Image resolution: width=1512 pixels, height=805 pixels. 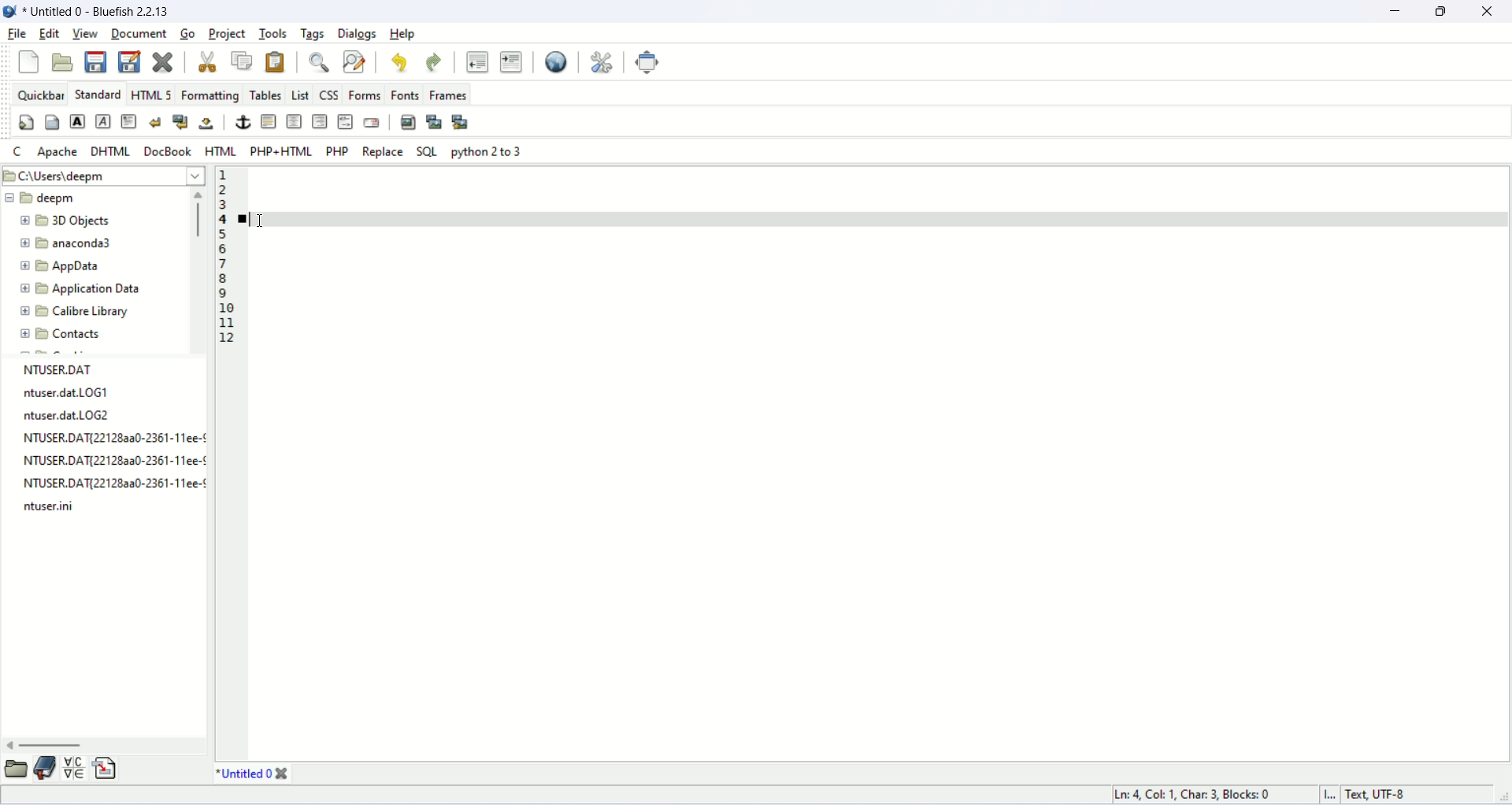 I want to click on file, so click(x=17, y=34).